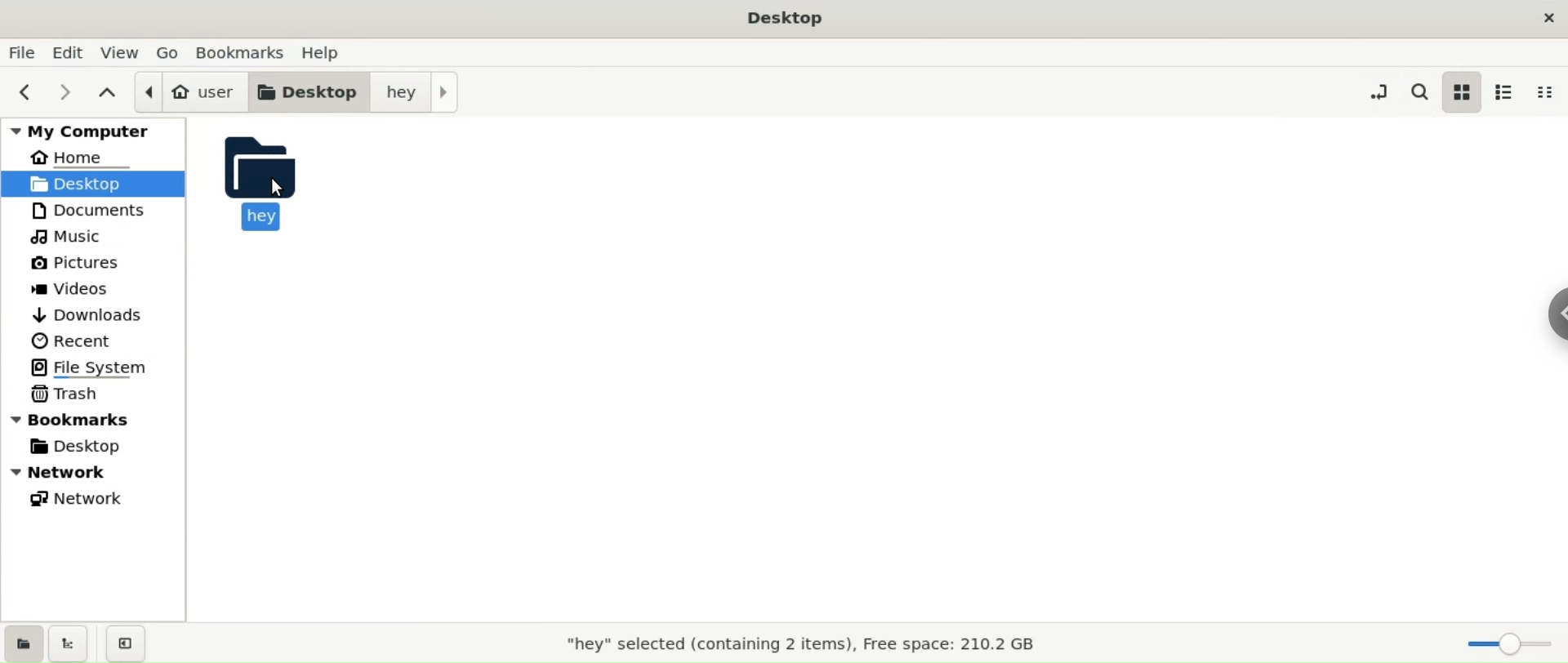 The width and height of the screenshot is (1568, 663). Describe the element at coordinates (89, 472) in the screenshot. I see `network` at that location.